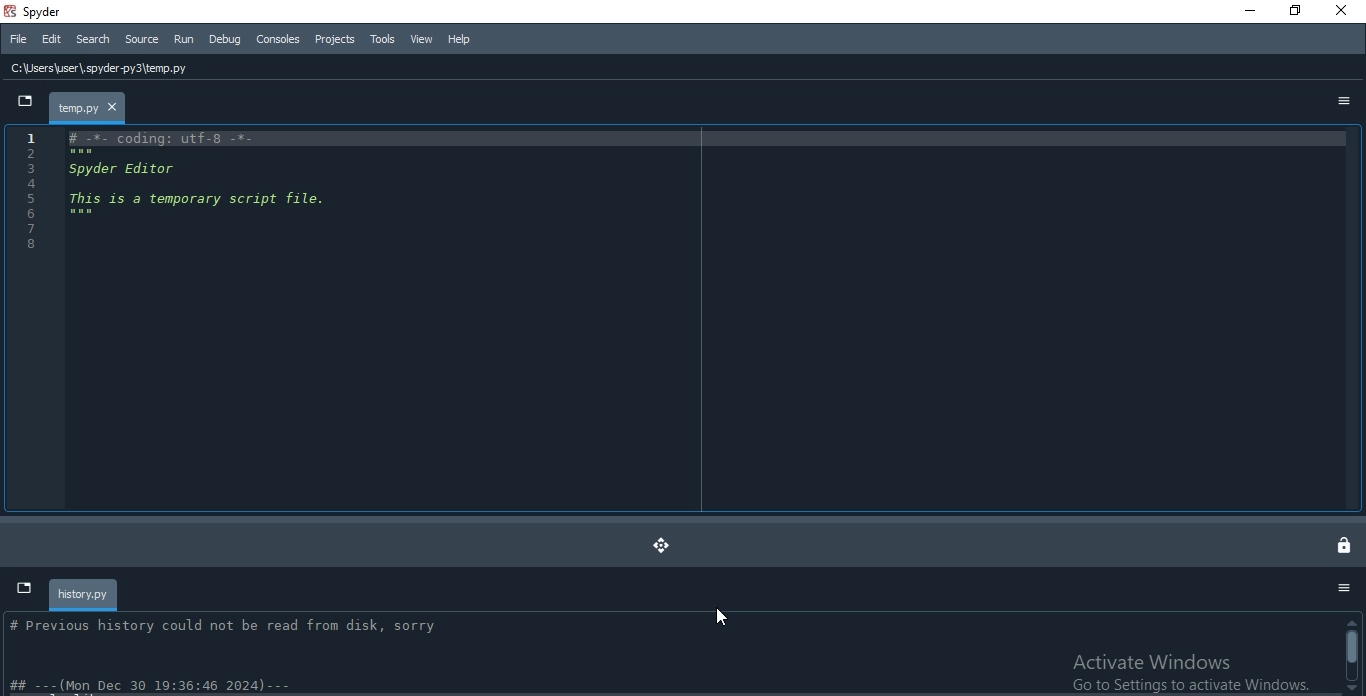 The width and height of the screenshot is (1366, 696). What do you see at coordinates (79, 593) in the screenshot?
I see `history.py` at bounding box center [79, 593].